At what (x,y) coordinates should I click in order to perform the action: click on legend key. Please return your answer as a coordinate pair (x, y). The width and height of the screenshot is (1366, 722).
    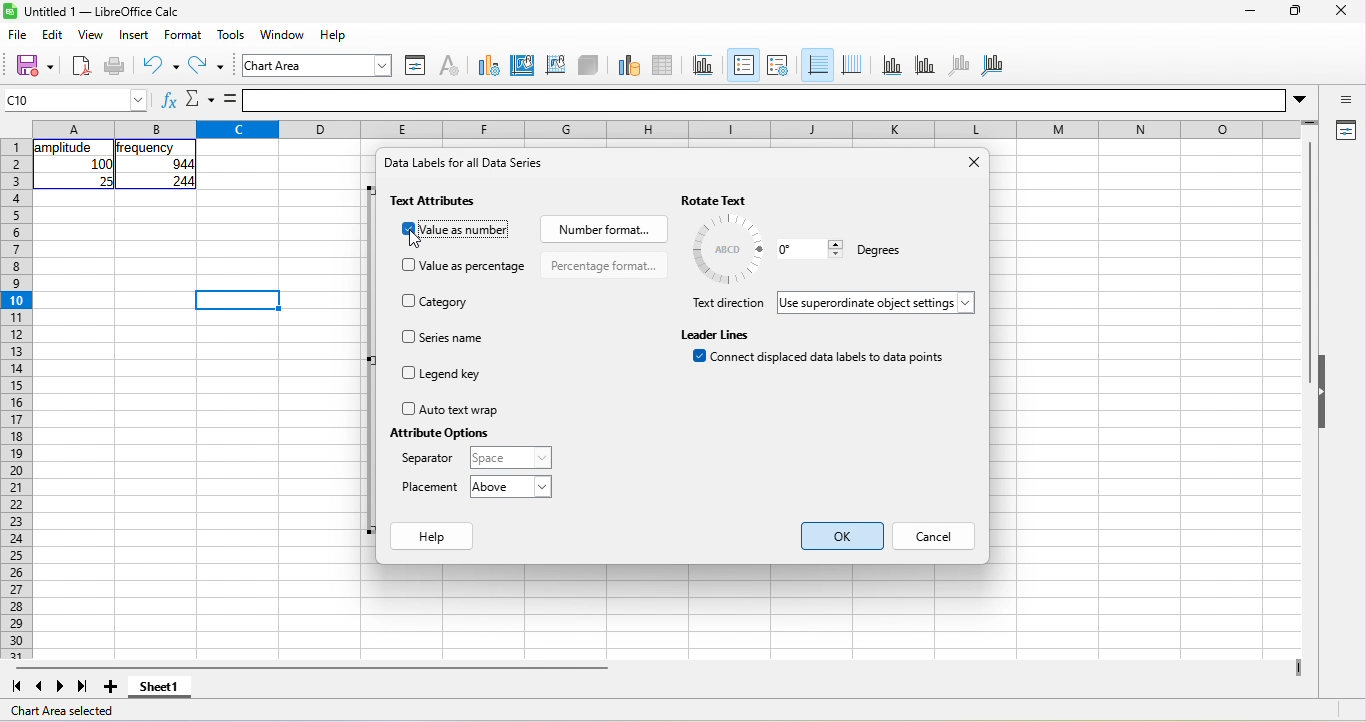
    Looking at the image, I should click on (451, 375).